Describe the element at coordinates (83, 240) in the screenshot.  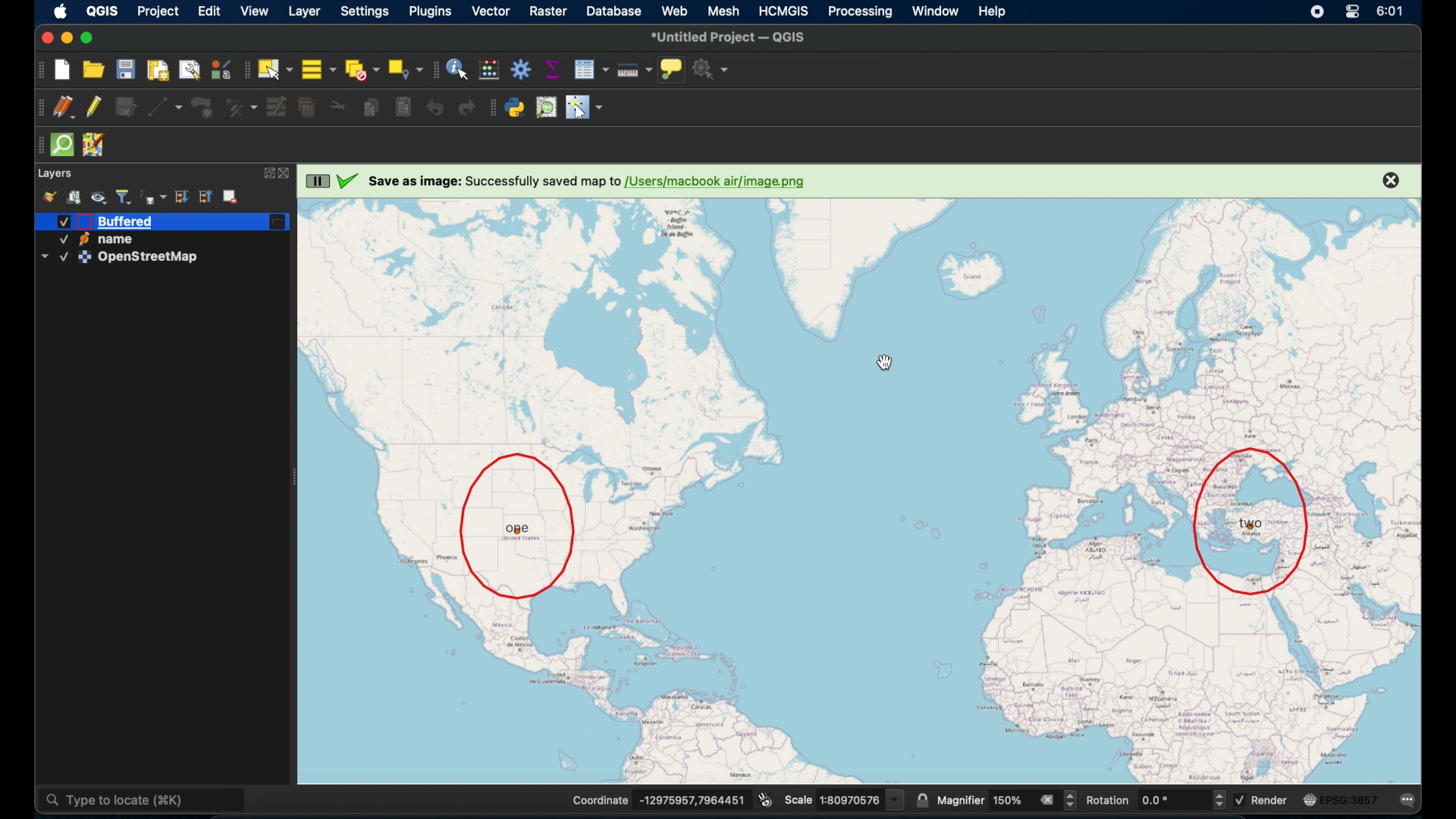
I see `icon` at that location.